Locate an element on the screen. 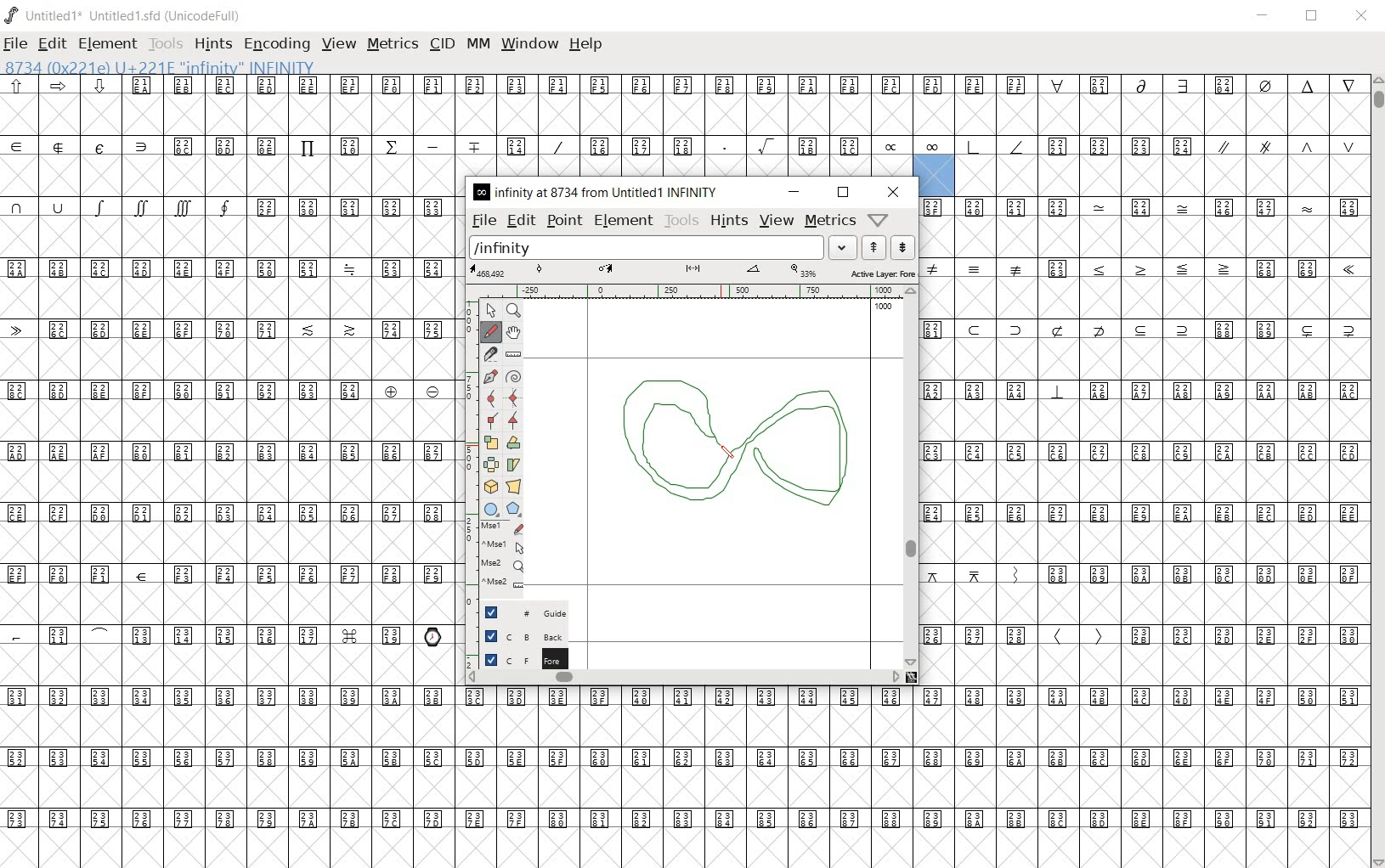  empty glyph slots is located at coordinates (1146, 298).